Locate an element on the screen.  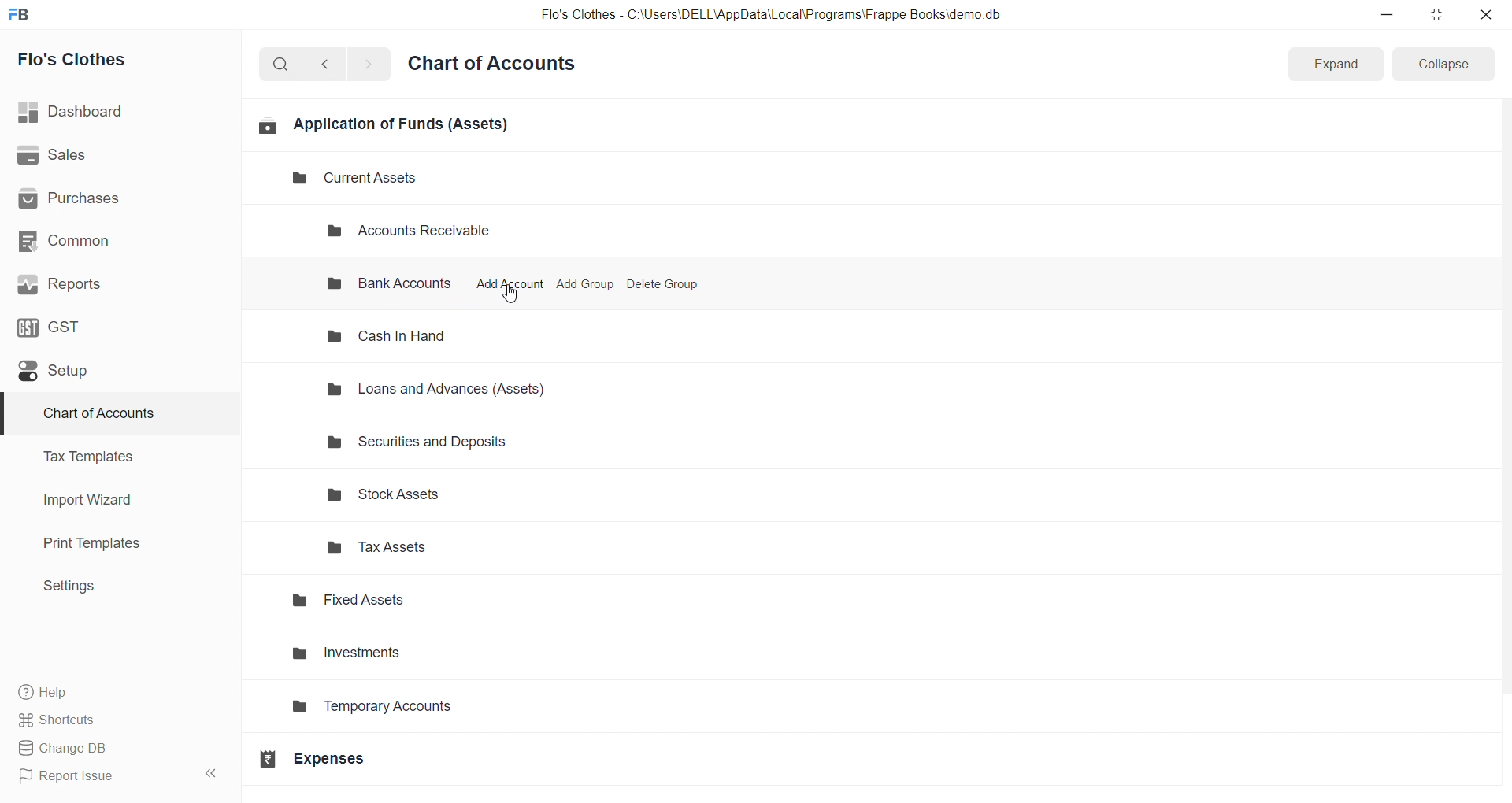
Flo's Clothes - C:\Users\DELL\AppData\Local\Programs\Frappe Books\demo.db is located at coordinates (771, 15).